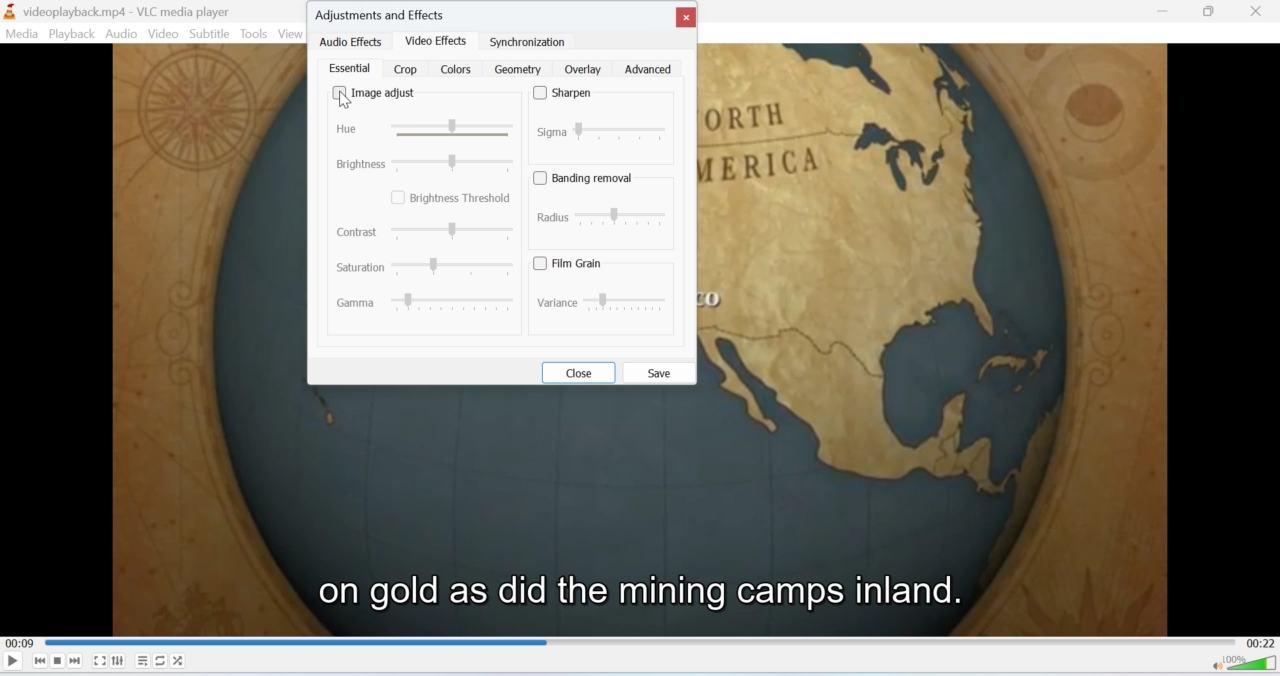 This screenshot has height=676, width=1280. I want to click on close, so click(578, 371).